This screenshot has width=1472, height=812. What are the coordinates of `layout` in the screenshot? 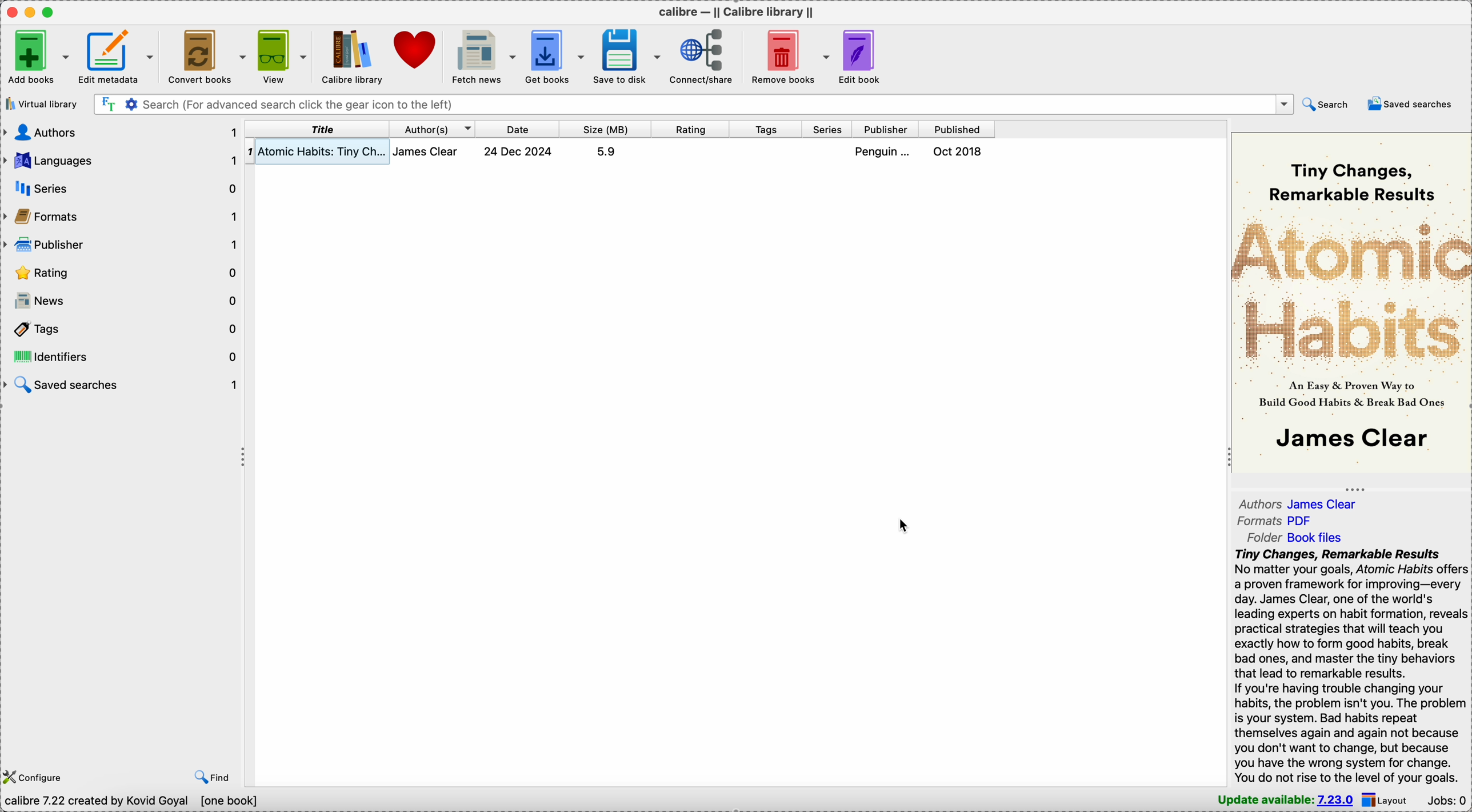 It's located at (1389, 799).